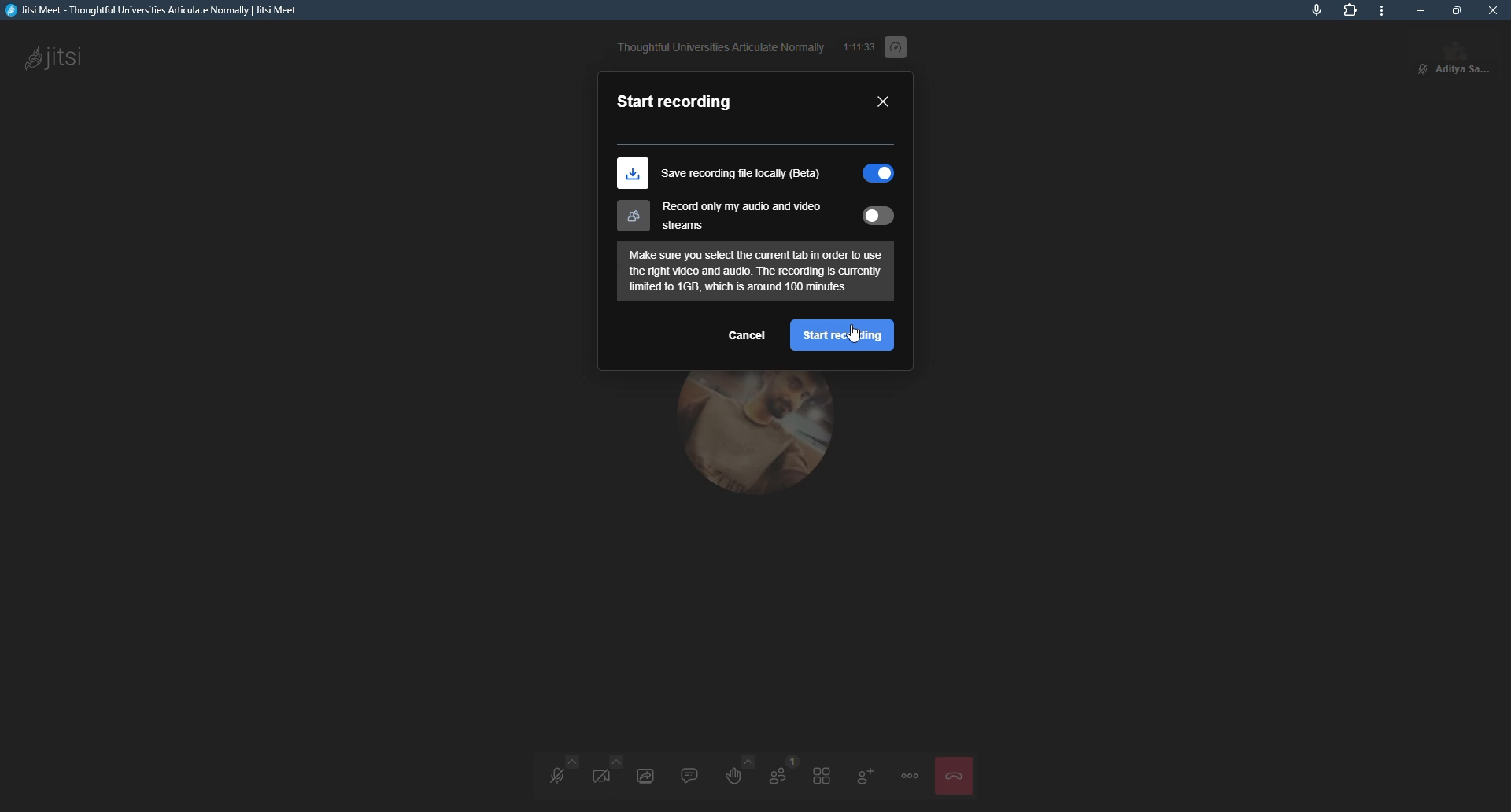 The height and width of the screenshot is (812, 1511). Describe the element at coordinates (722, 47) in the screenshot. I see `thoughtful universities articulate normally` at that location.